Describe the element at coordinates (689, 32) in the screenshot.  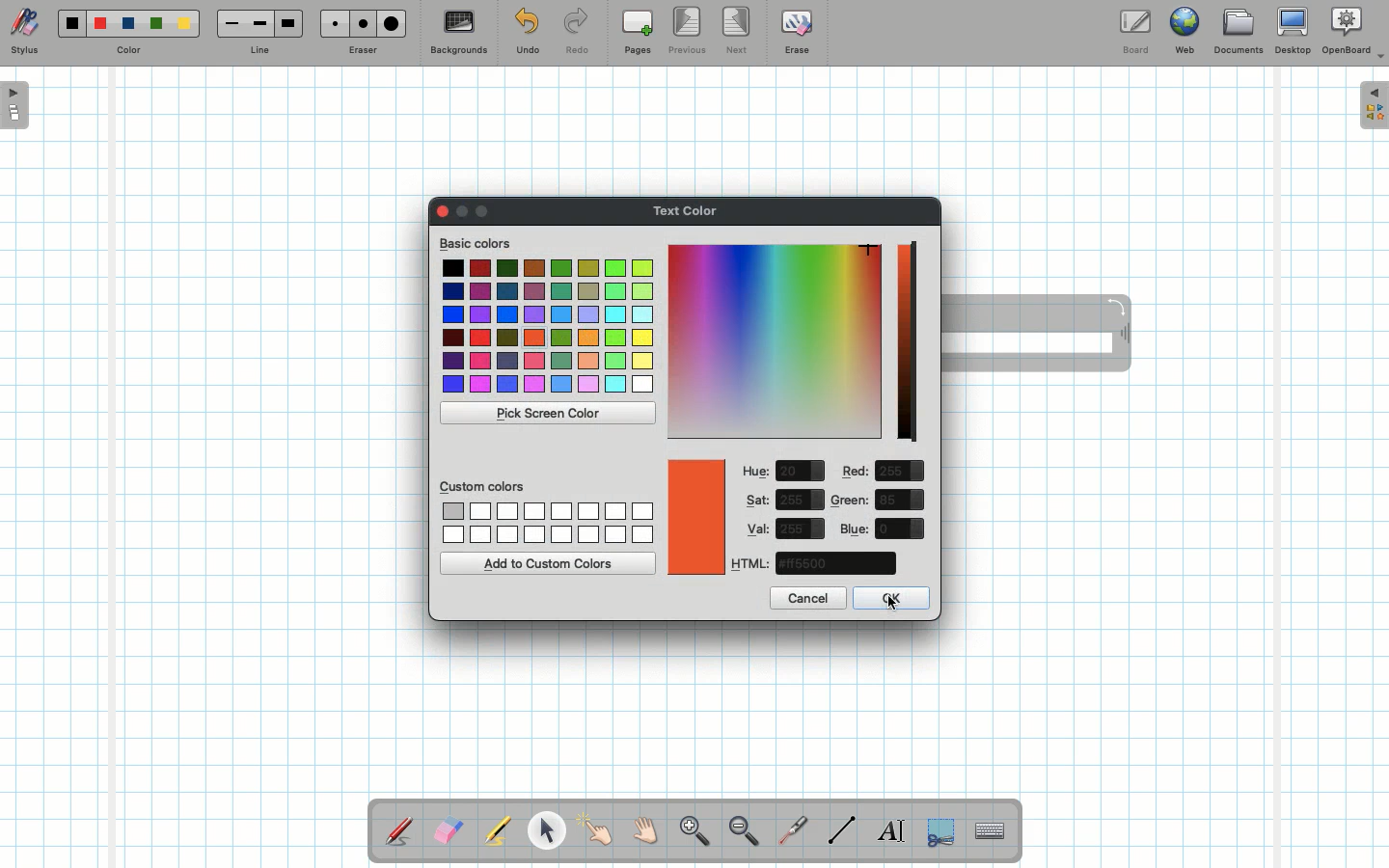
I see `Previous` at that location.